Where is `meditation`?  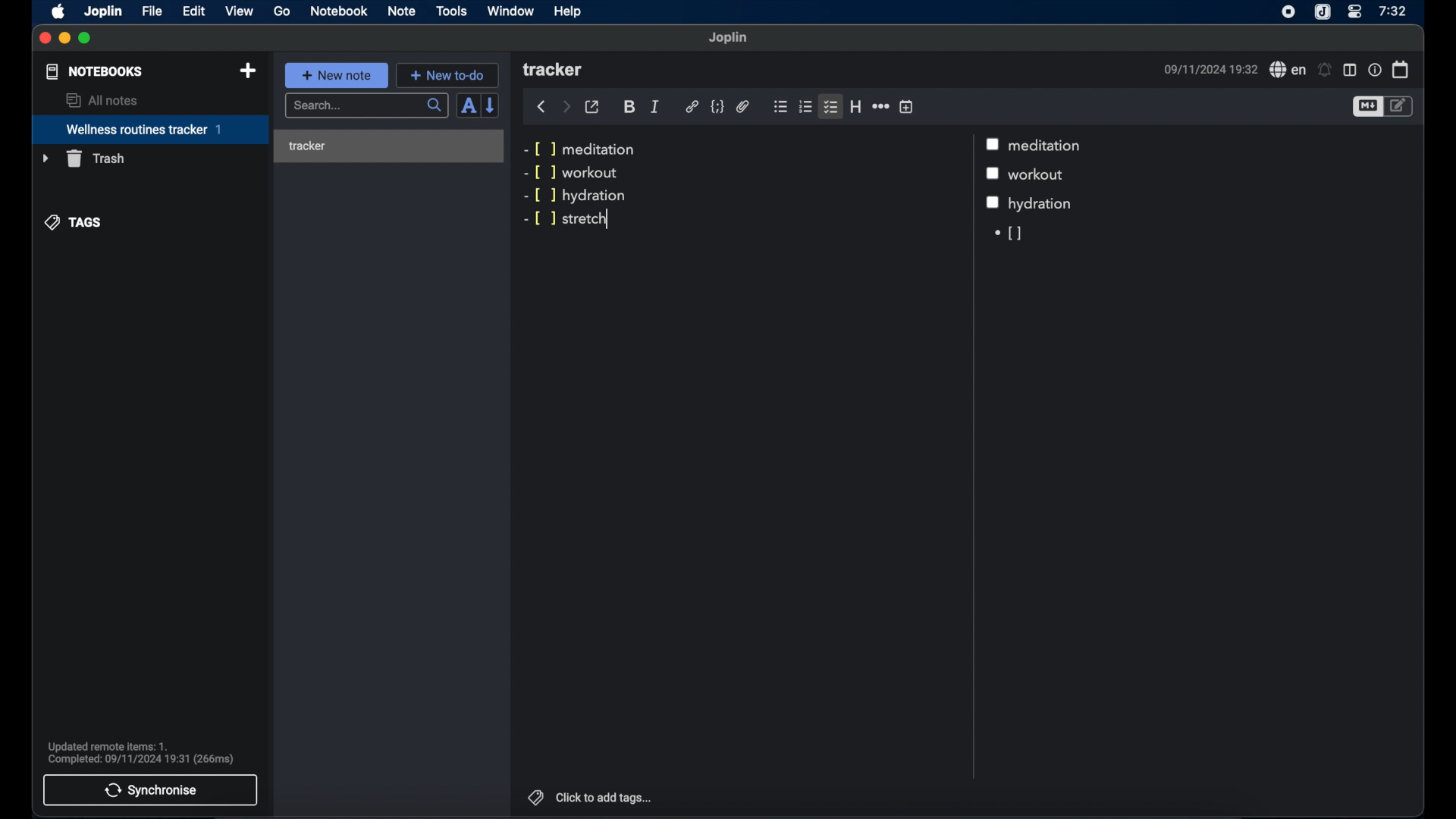 meditation is located at coordinates (1048, 146).